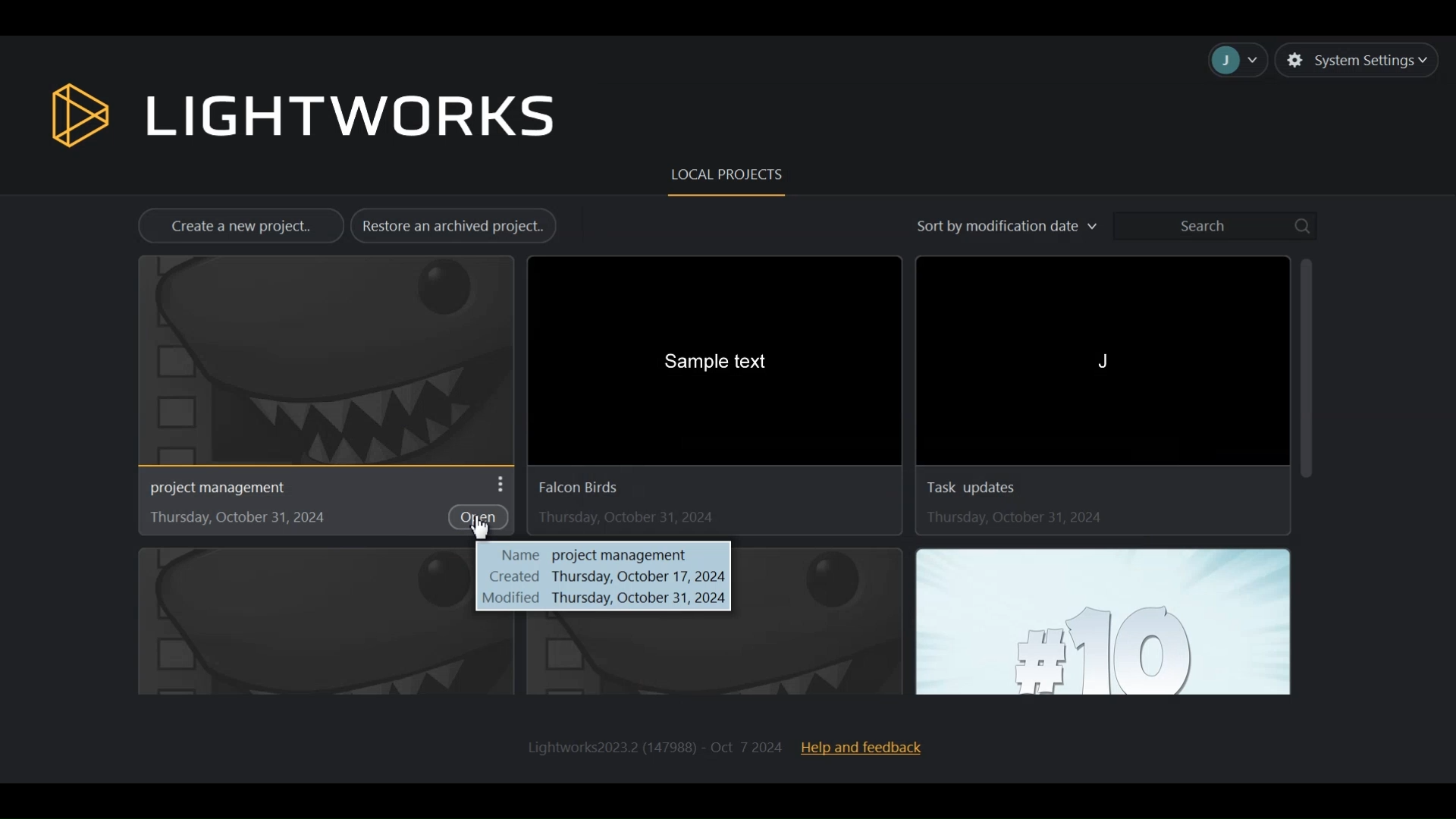  What do you see at coordinates (303, 116) in the screenshot?
I see `Lightworks` at bounding box center [303, 116].